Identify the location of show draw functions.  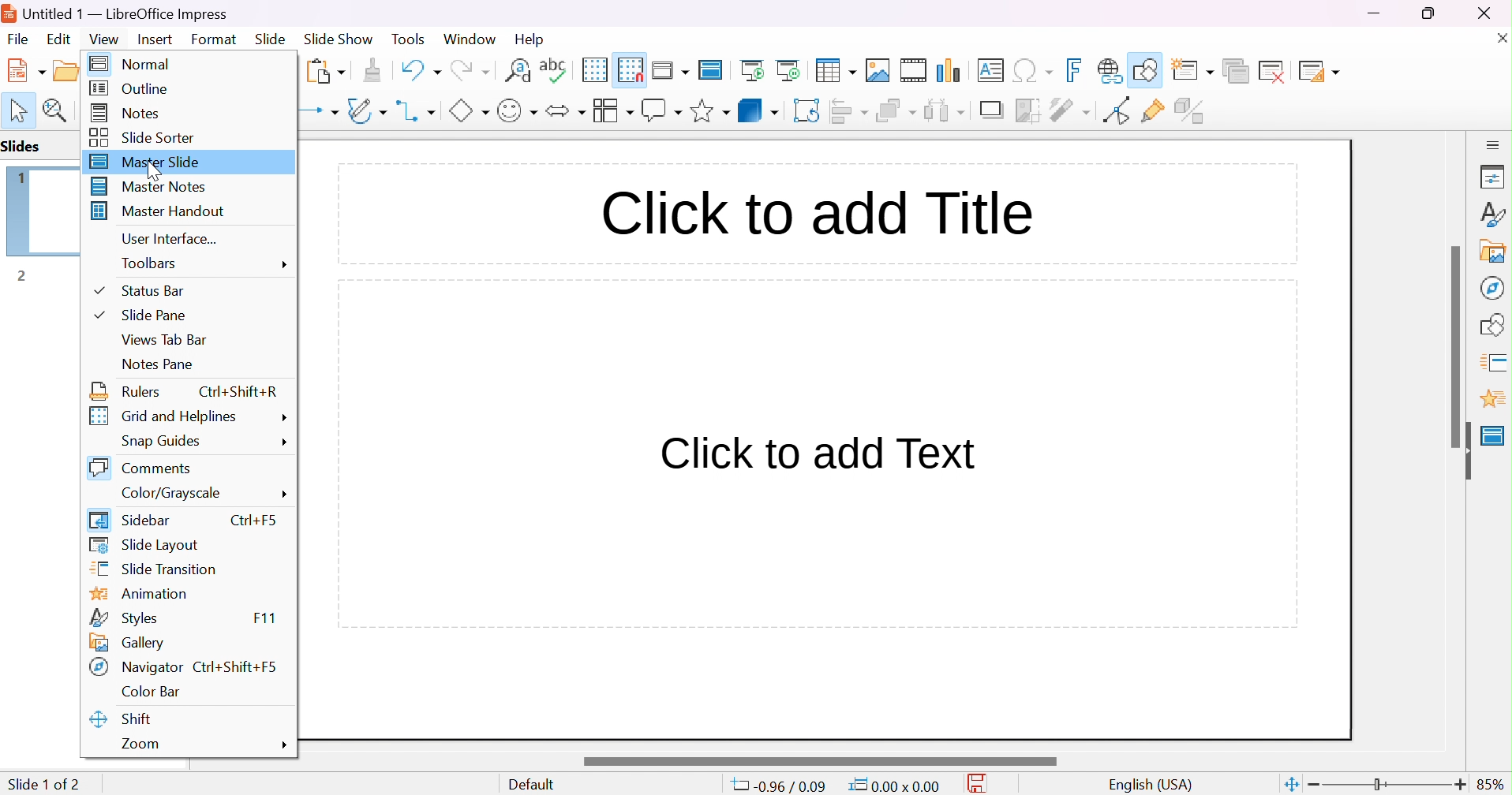
(1147, 68).